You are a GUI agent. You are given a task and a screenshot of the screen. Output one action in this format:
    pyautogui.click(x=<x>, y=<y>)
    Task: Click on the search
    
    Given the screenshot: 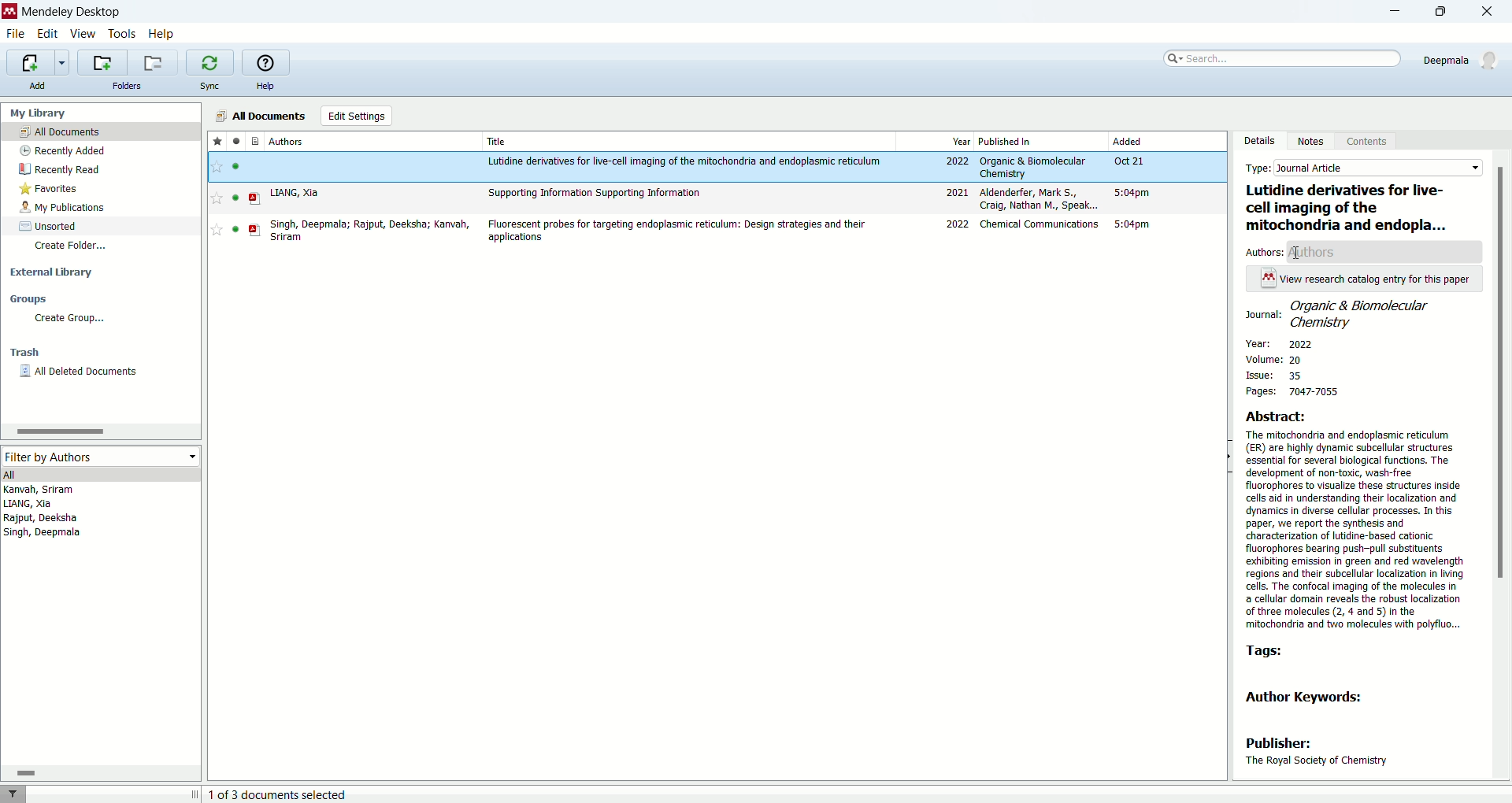 What is the action you would take?
    pyautogui.click(x=1275, y=60)
    